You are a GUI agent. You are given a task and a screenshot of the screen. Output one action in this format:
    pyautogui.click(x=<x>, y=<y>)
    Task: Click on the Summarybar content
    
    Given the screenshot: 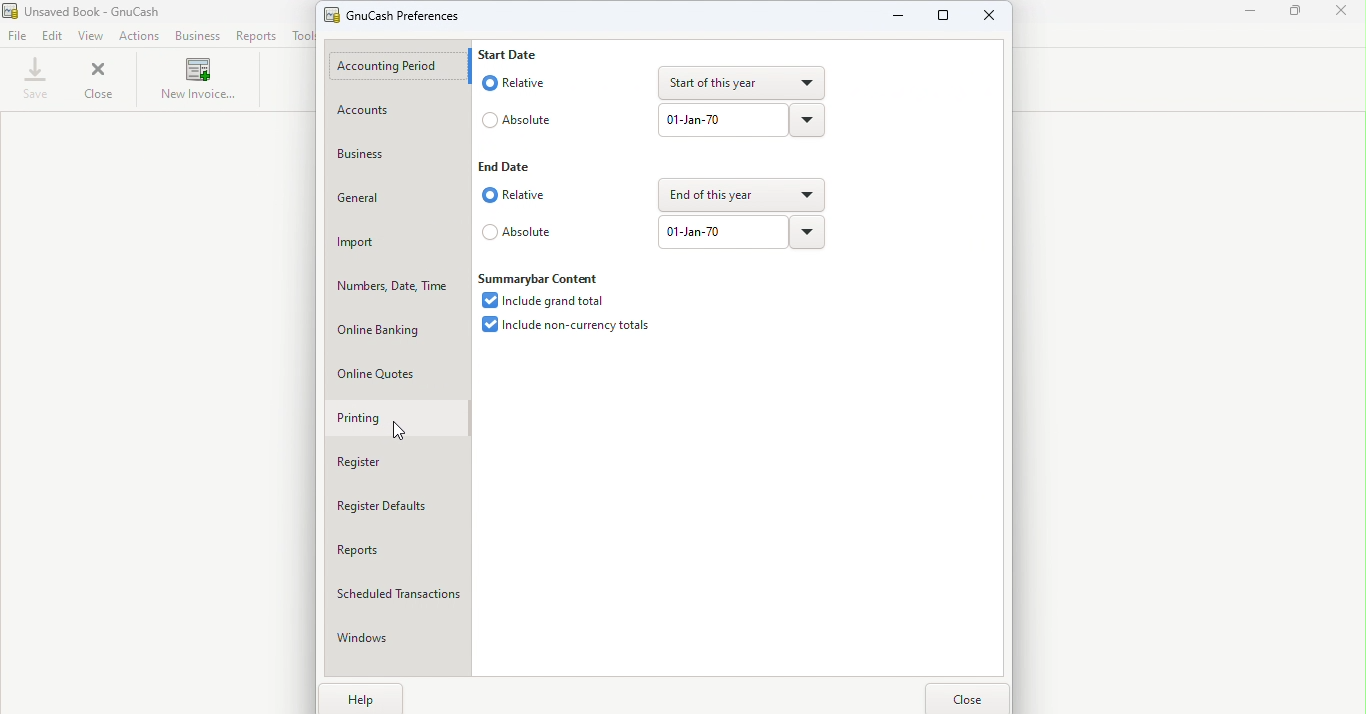 What is the action you would take?
    pyautogui.click(x=543, y=277)
    